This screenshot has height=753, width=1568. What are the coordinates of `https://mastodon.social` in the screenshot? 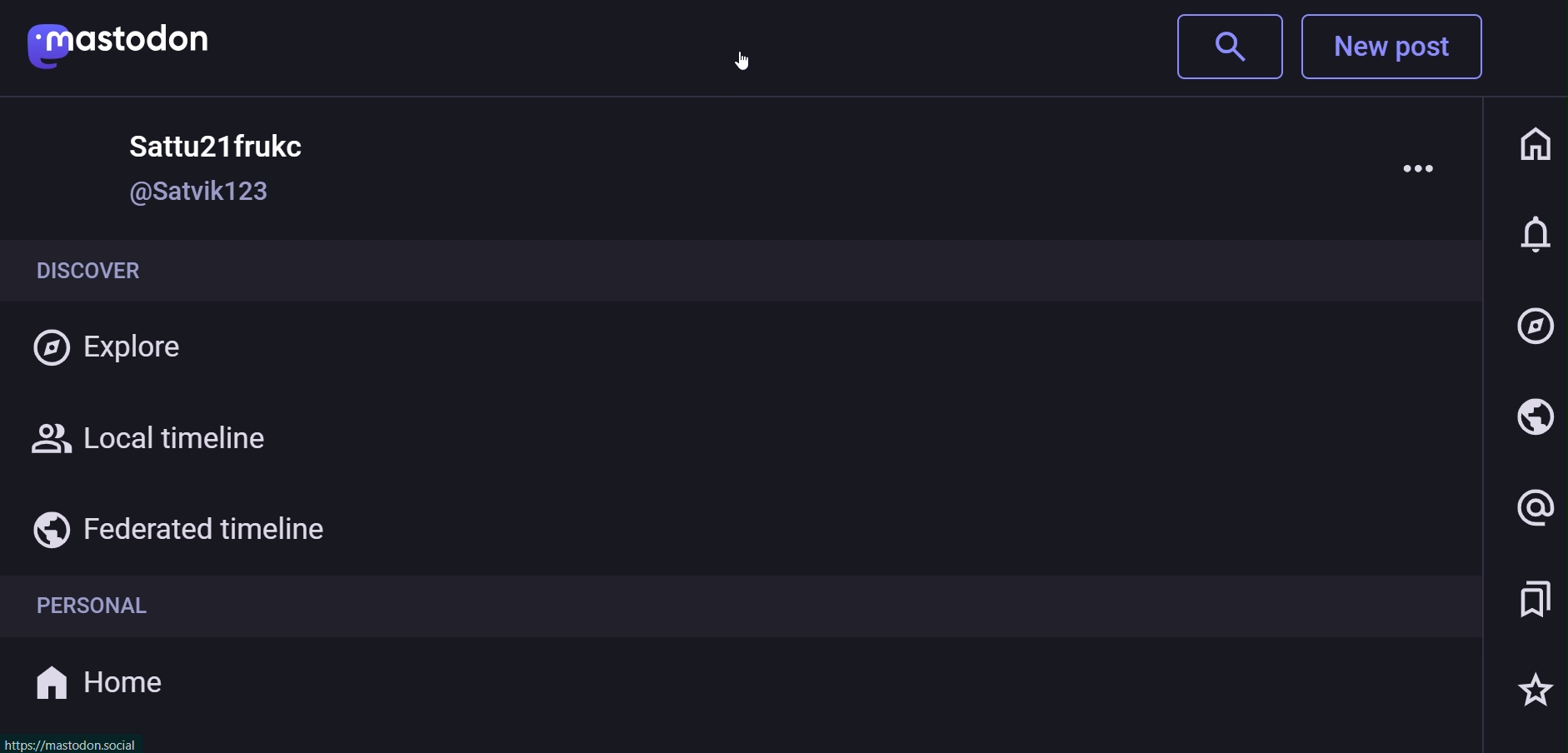 It's located at (72, 744).